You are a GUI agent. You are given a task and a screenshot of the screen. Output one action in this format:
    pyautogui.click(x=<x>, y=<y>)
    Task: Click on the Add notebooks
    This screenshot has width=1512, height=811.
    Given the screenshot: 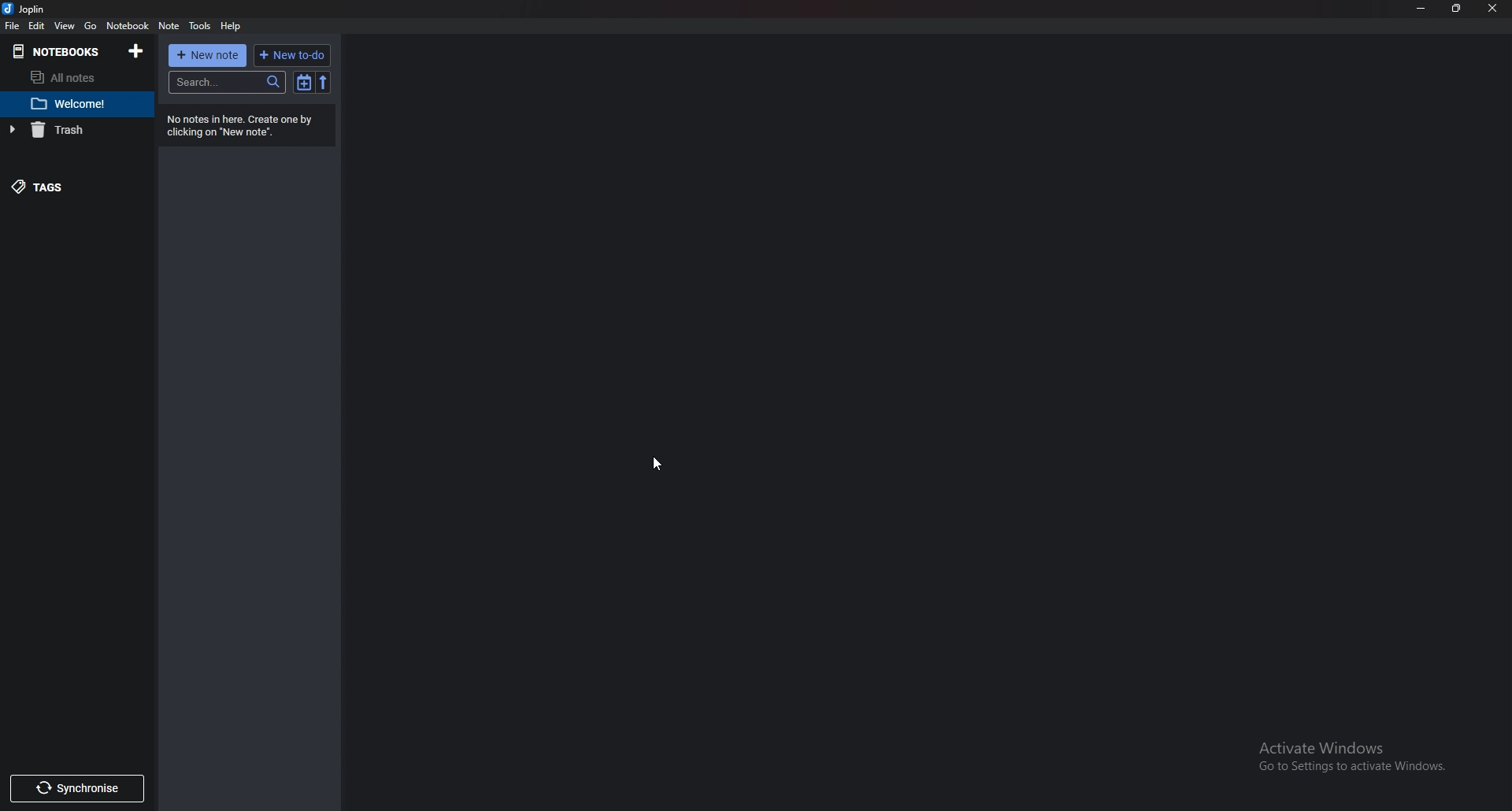 What is the action you would take?
    pyautogui.click(x=136, y=51)
    